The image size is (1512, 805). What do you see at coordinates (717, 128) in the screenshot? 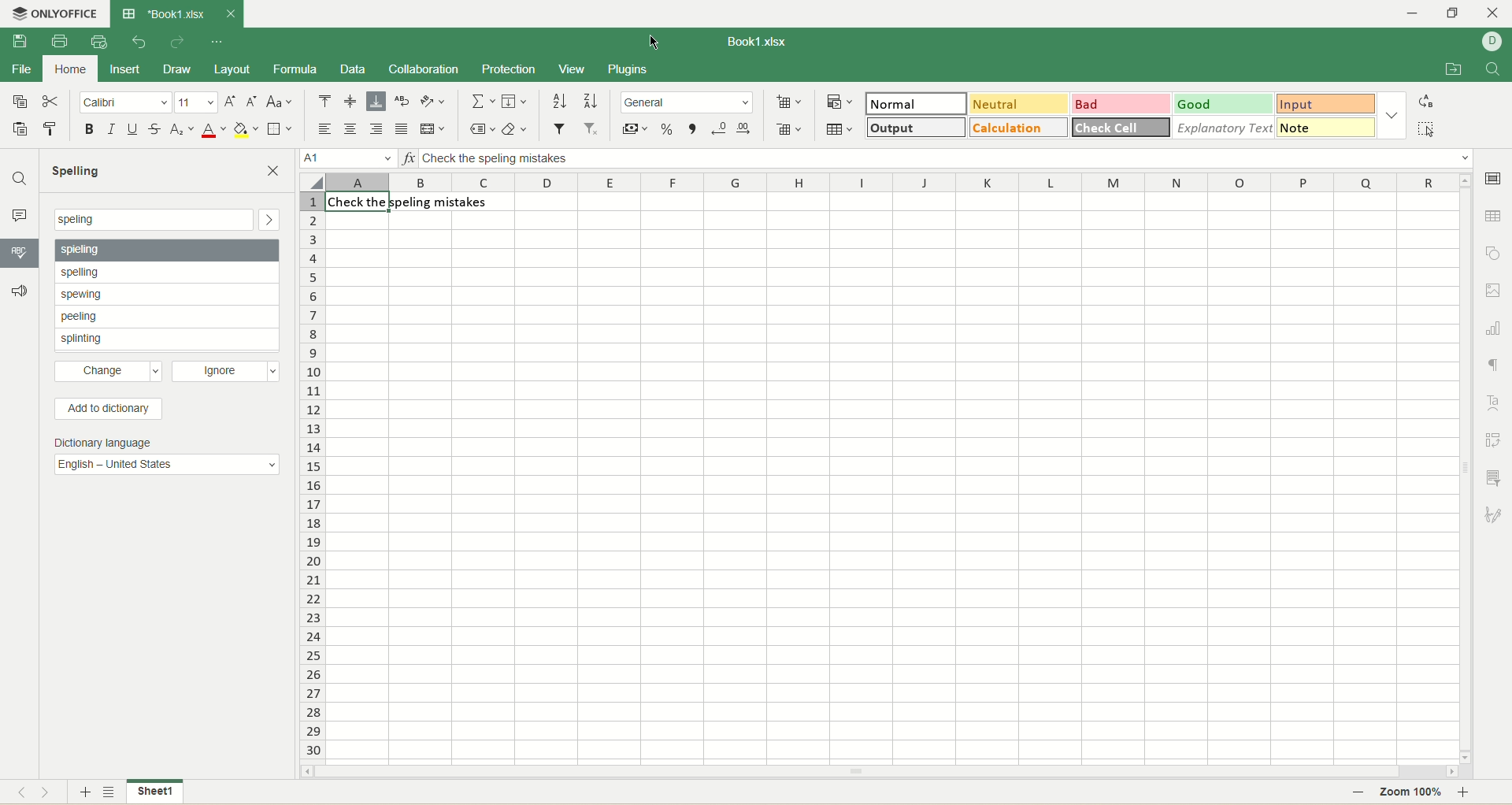
I see `decrease decimal` at bounding box center [717, 128].